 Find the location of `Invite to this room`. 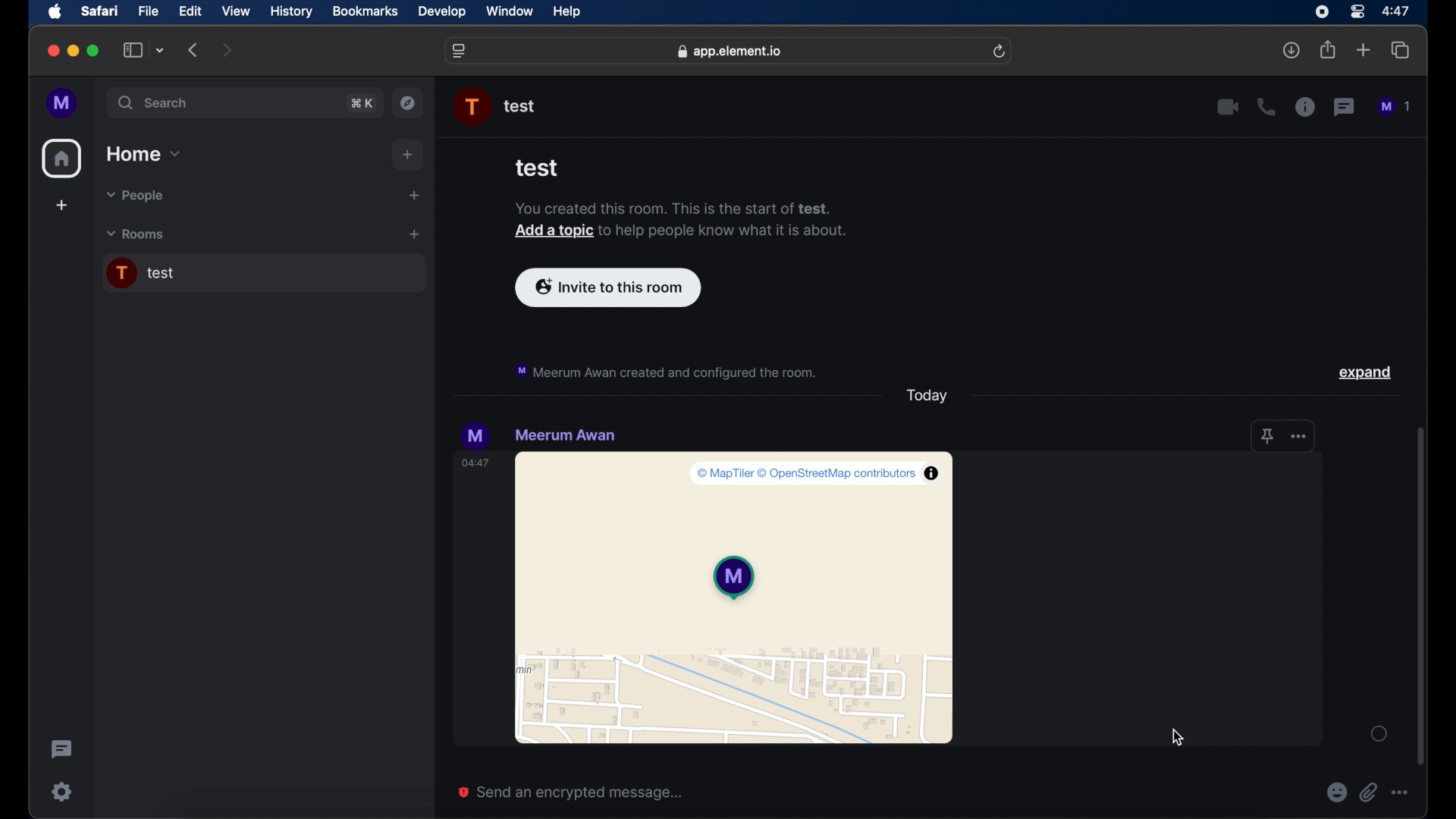

Invite to this room is located at coordinates (610, 287).